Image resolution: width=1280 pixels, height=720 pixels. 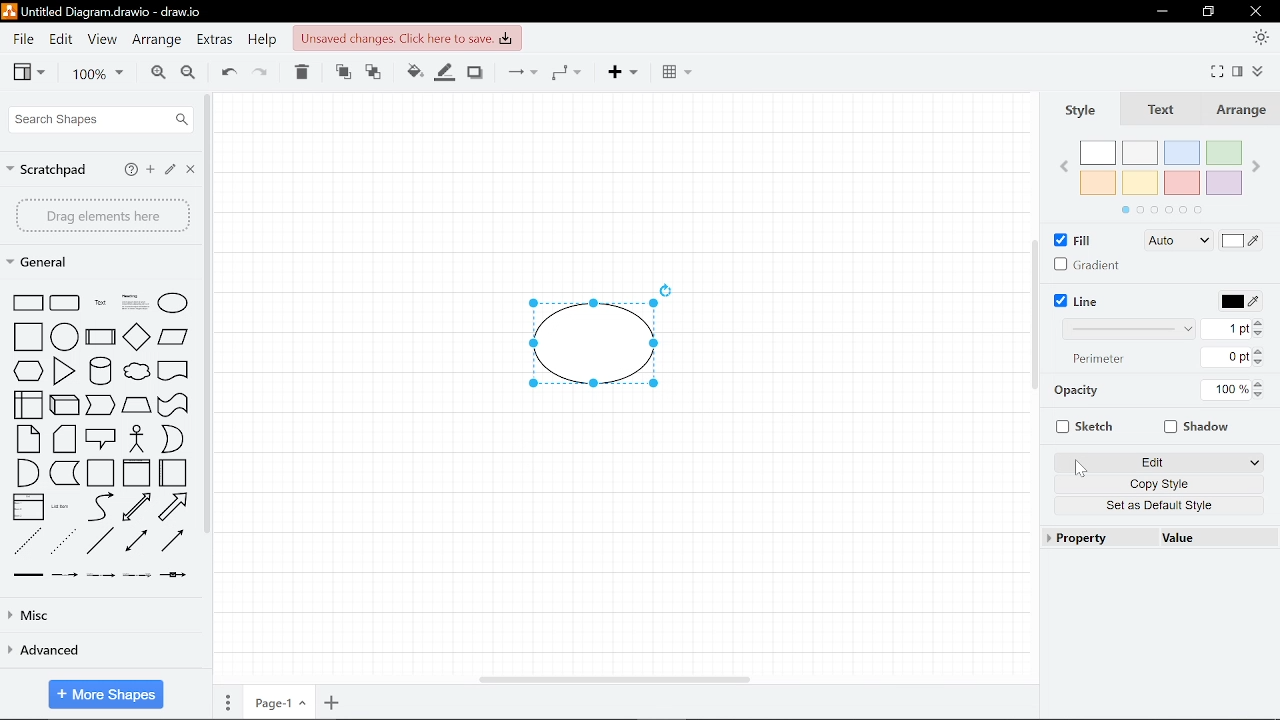 What do you see at coordinates (1216, 537) in the screenshot?
I see ` Value` at bounding box center [1216, 537].